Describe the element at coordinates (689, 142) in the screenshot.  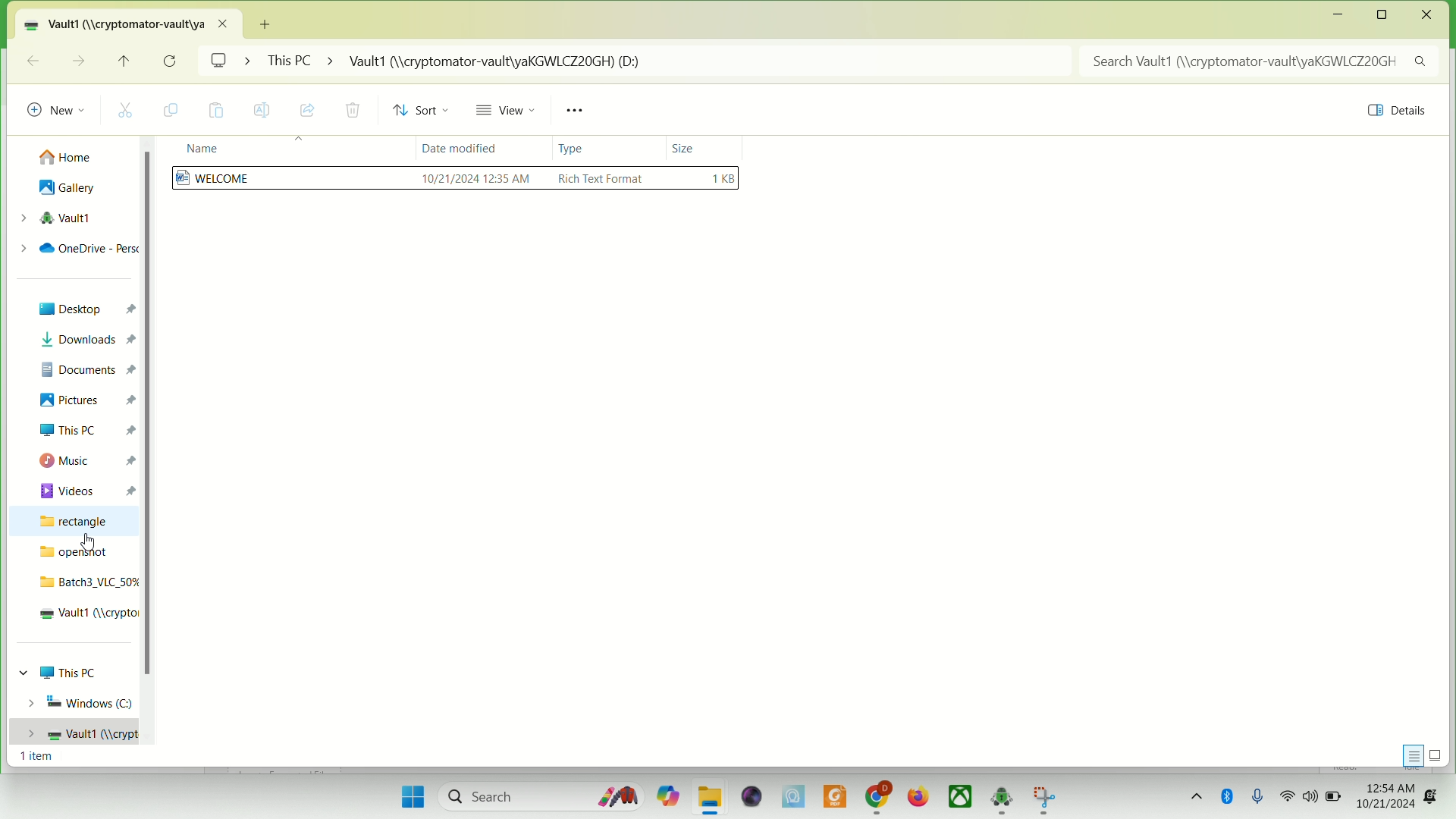
I see `size` at that location.